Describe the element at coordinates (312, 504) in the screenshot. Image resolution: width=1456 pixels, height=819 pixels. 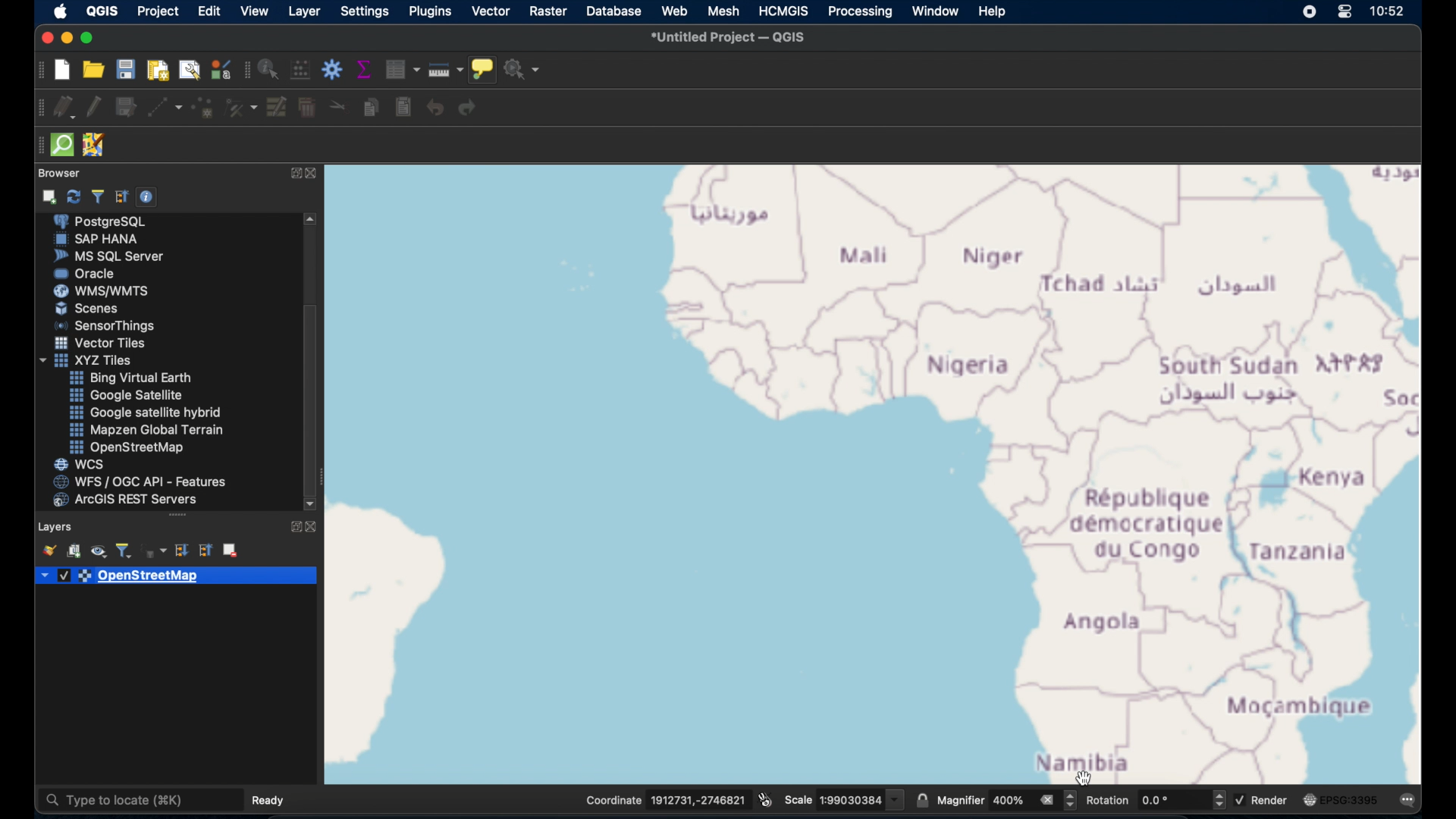
I see `scroll down arrow` at that location.